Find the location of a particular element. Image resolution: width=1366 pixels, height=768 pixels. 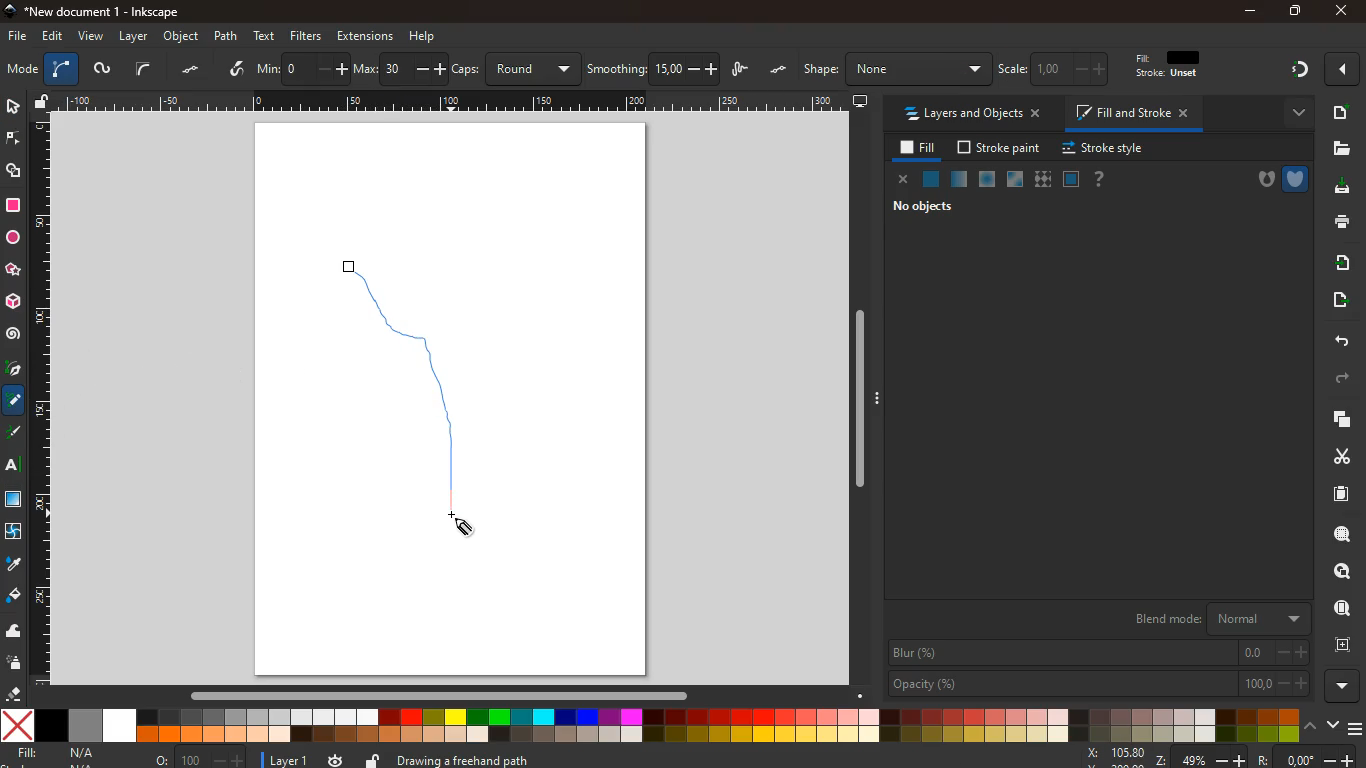

drop is located at coordinates (12, 564).